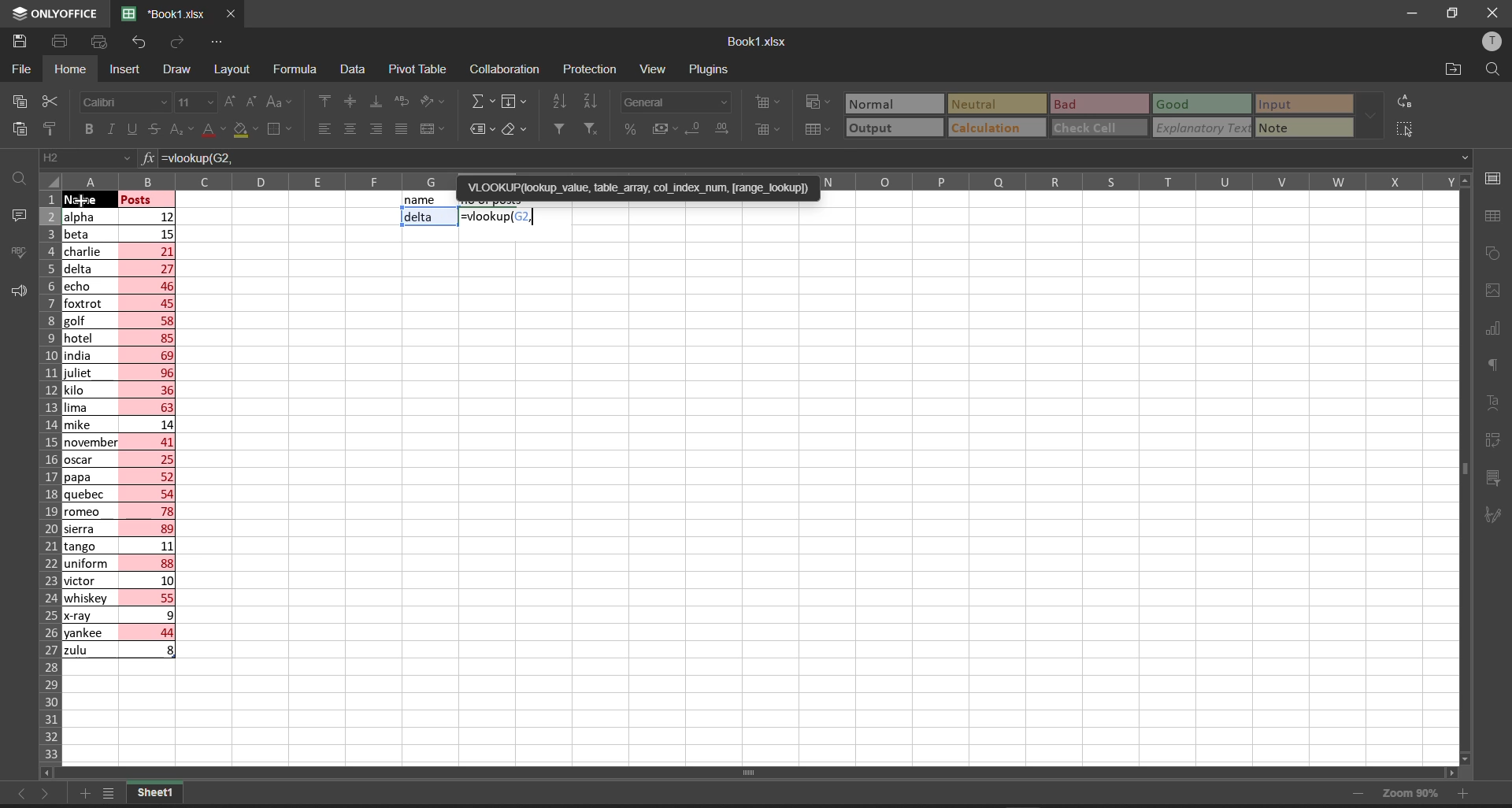 The height and width of the screenshot is (808, 1512). What do you see at coordinates (48, 797) in the screenshot?
I see `move to the sheet right to current sheet` at bounding box center [48, 797].